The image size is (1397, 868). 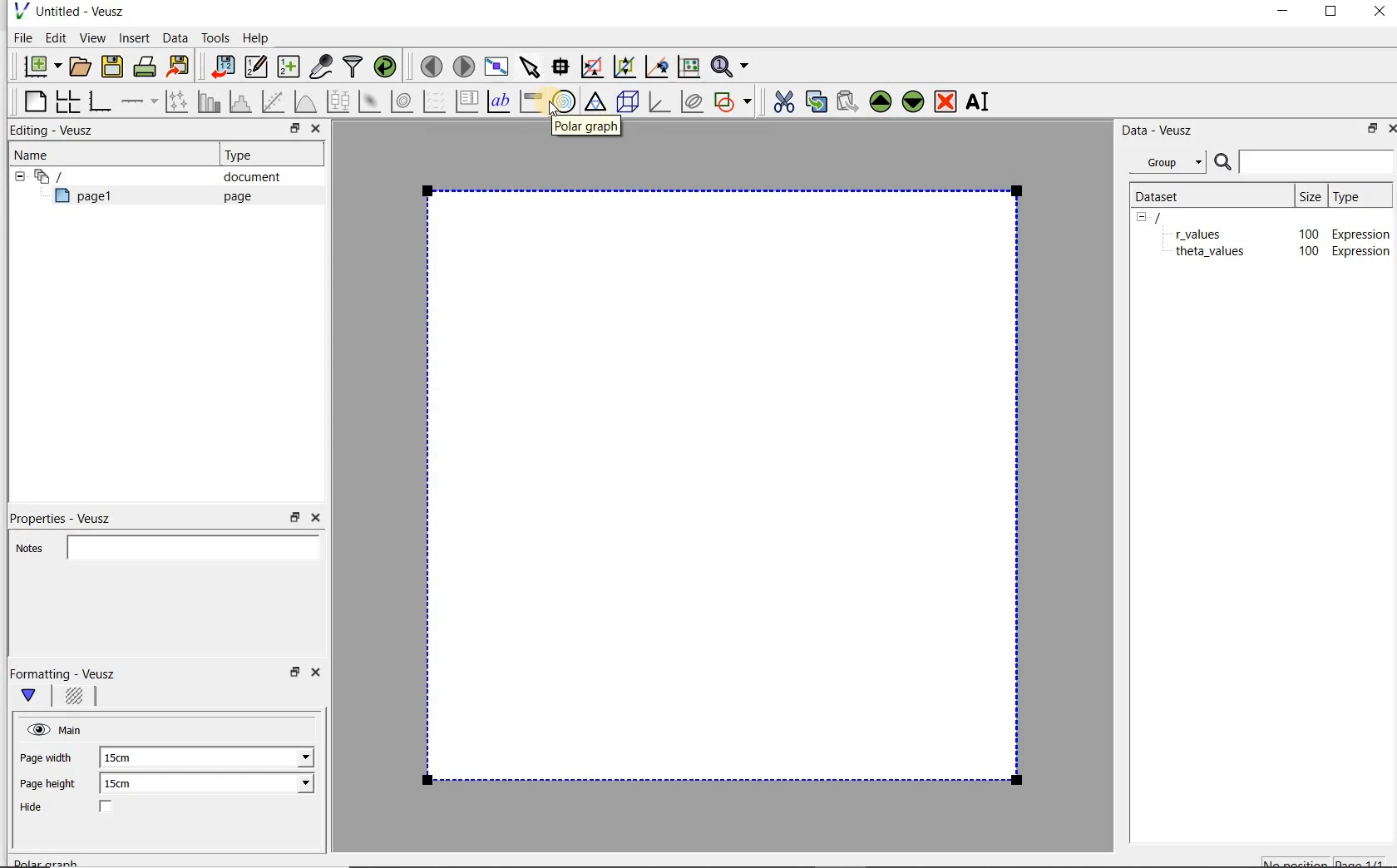 I want to click on restore down, so click(x=290, y=131).